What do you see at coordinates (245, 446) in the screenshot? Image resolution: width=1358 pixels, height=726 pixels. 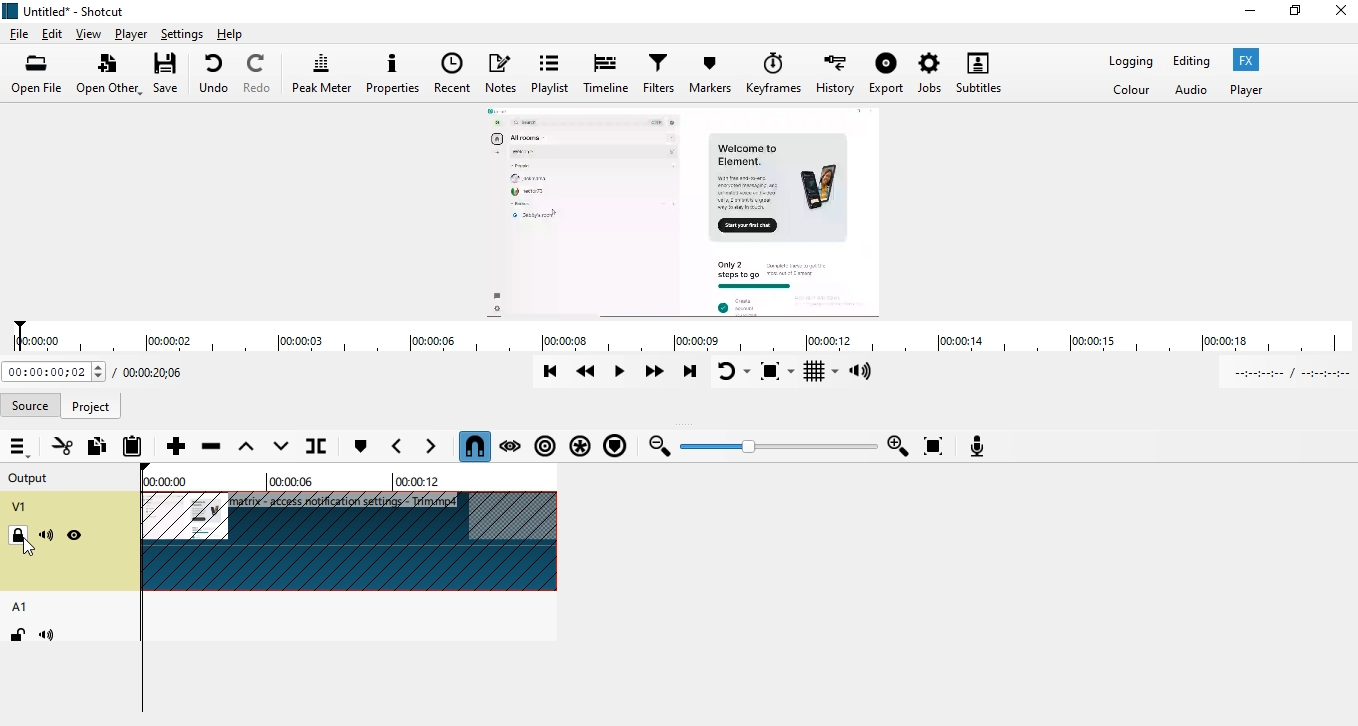 I see `Lift` at bounding box center [245, 446].